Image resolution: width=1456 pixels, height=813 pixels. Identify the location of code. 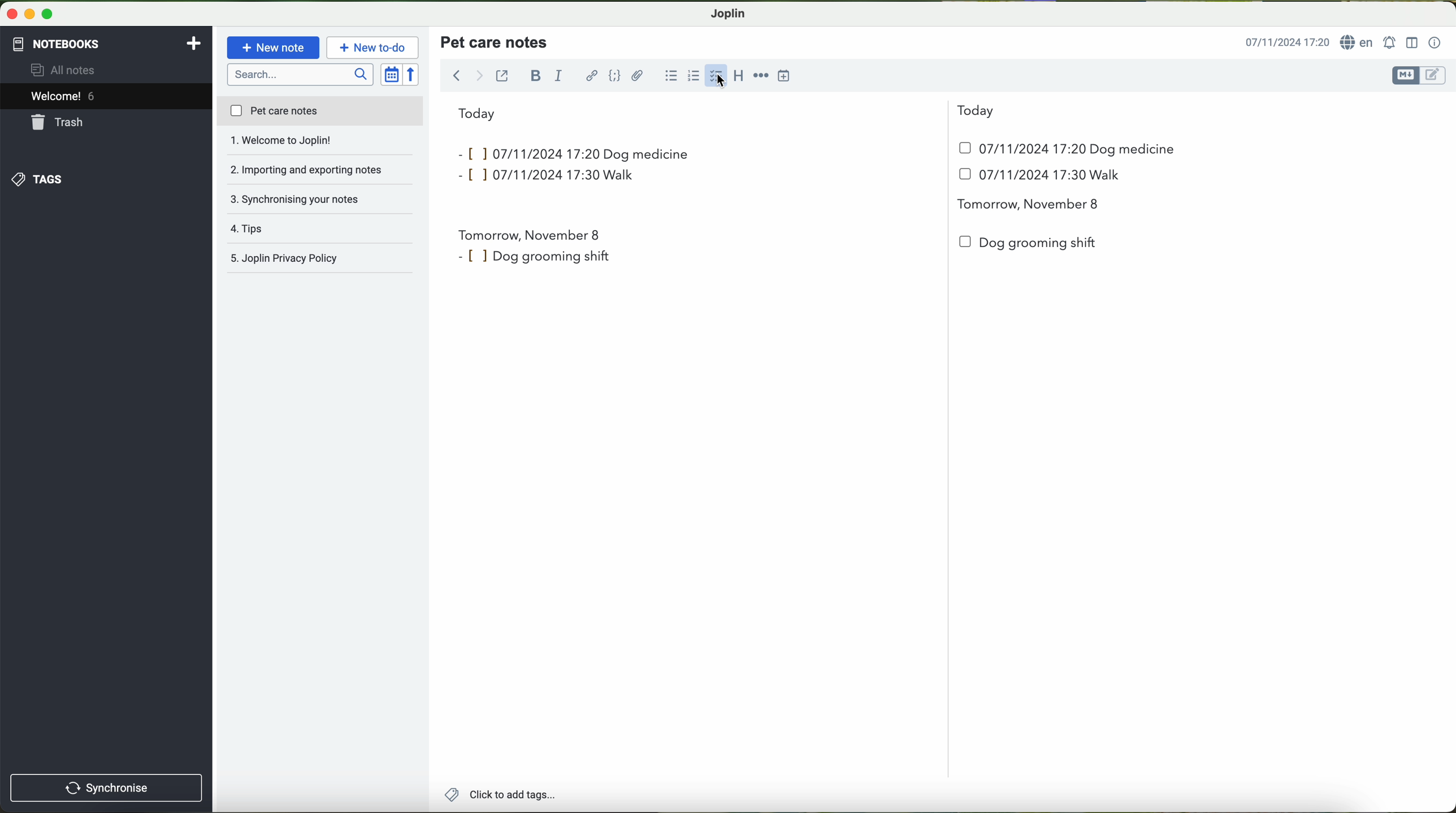
(614, 75).